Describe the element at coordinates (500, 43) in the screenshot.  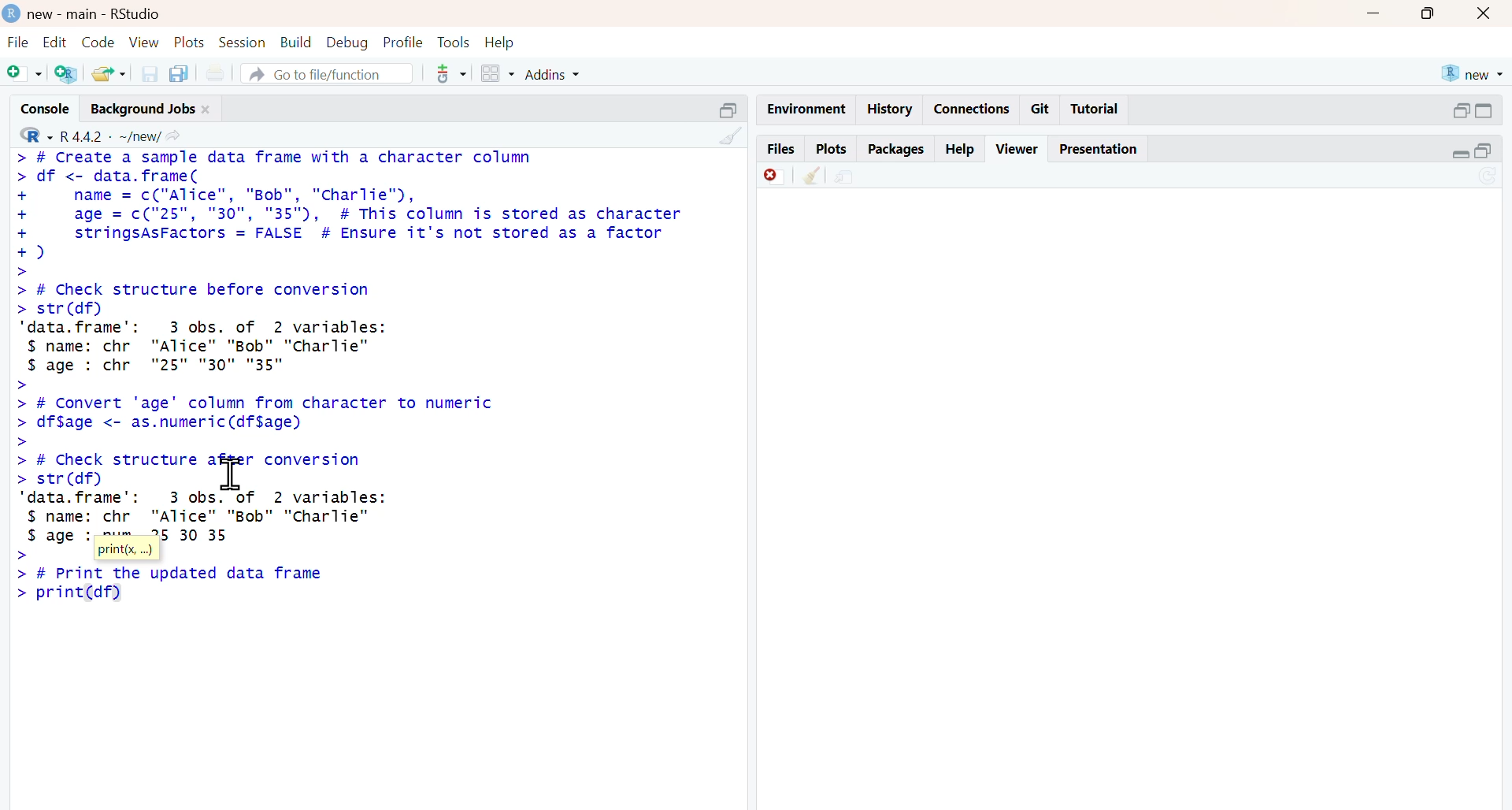
I see `help` at that location.